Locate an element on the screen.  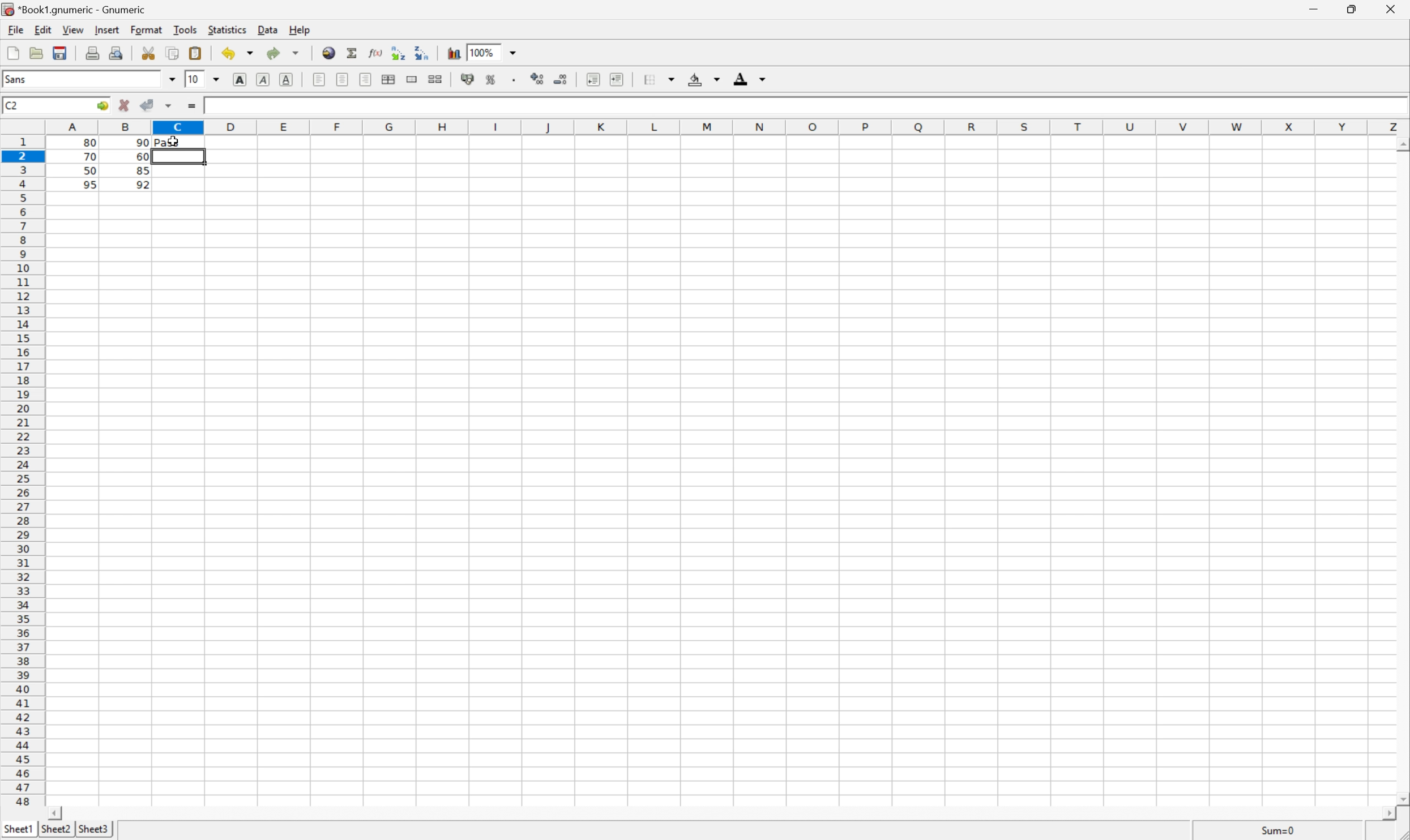
Minimize is located at coordinates (1314, 7).